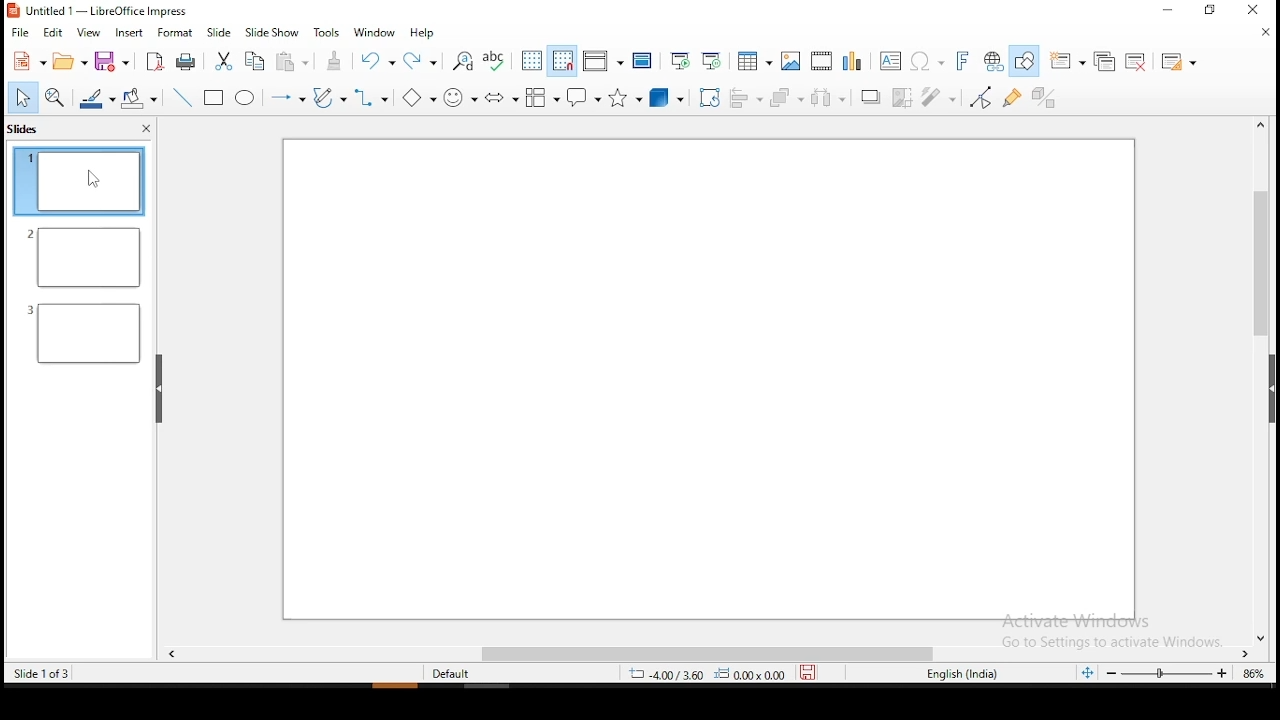 Image resolution: width=1280 pixels, height=720 pixels. I want to click on new tool, so click(29, 63).